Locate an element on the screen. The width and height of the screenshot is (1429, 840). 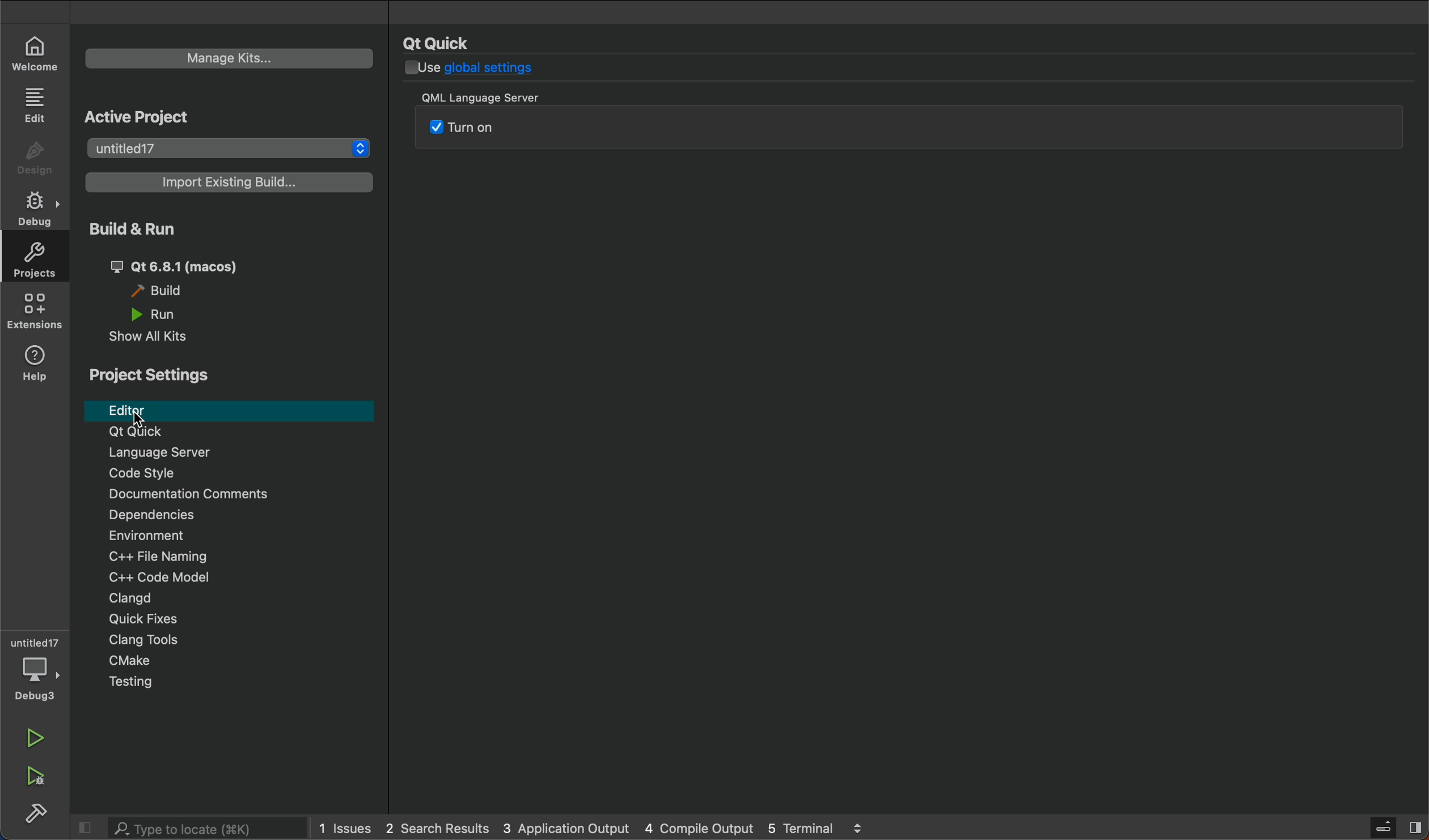
debugger is located at coordinates (36, 670).